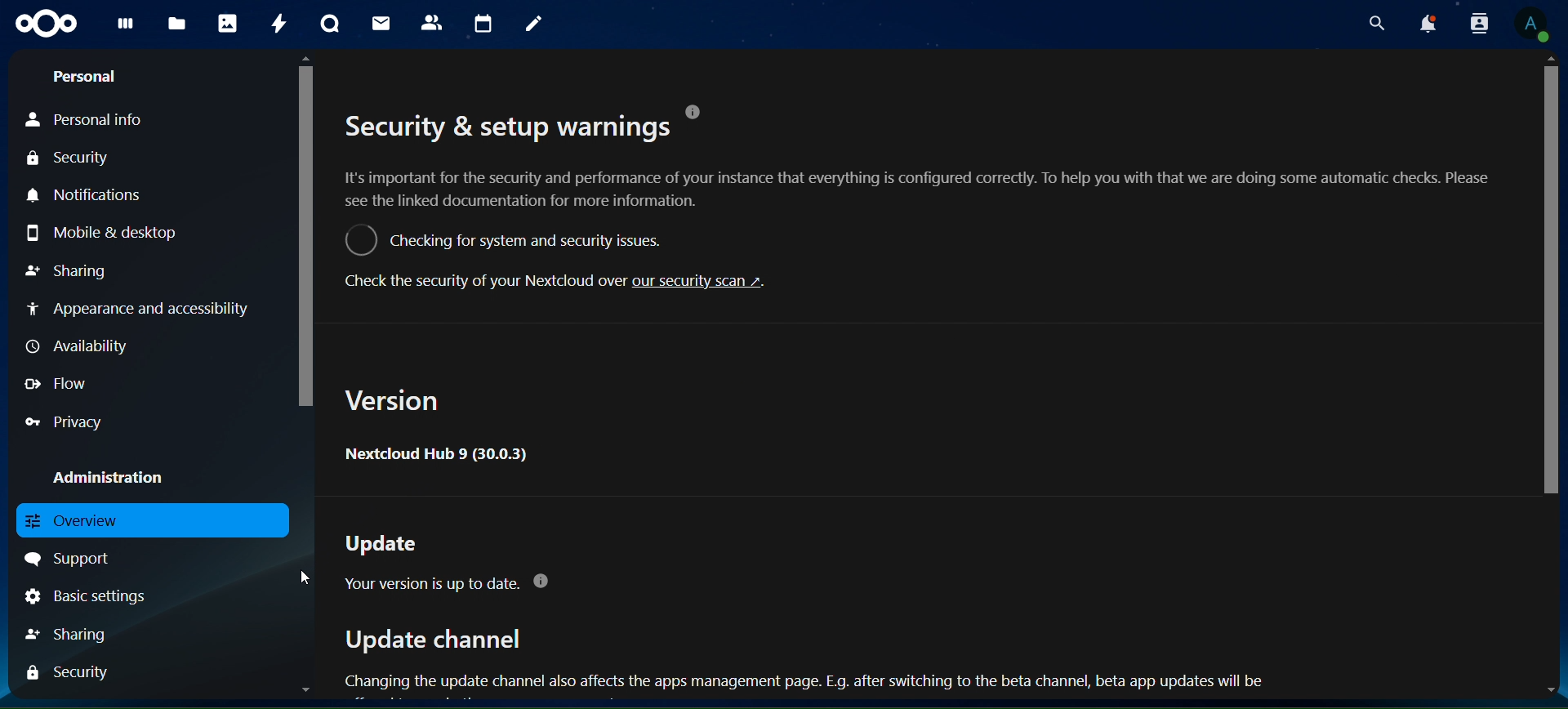  I want to click on mail, so click(381, 24).